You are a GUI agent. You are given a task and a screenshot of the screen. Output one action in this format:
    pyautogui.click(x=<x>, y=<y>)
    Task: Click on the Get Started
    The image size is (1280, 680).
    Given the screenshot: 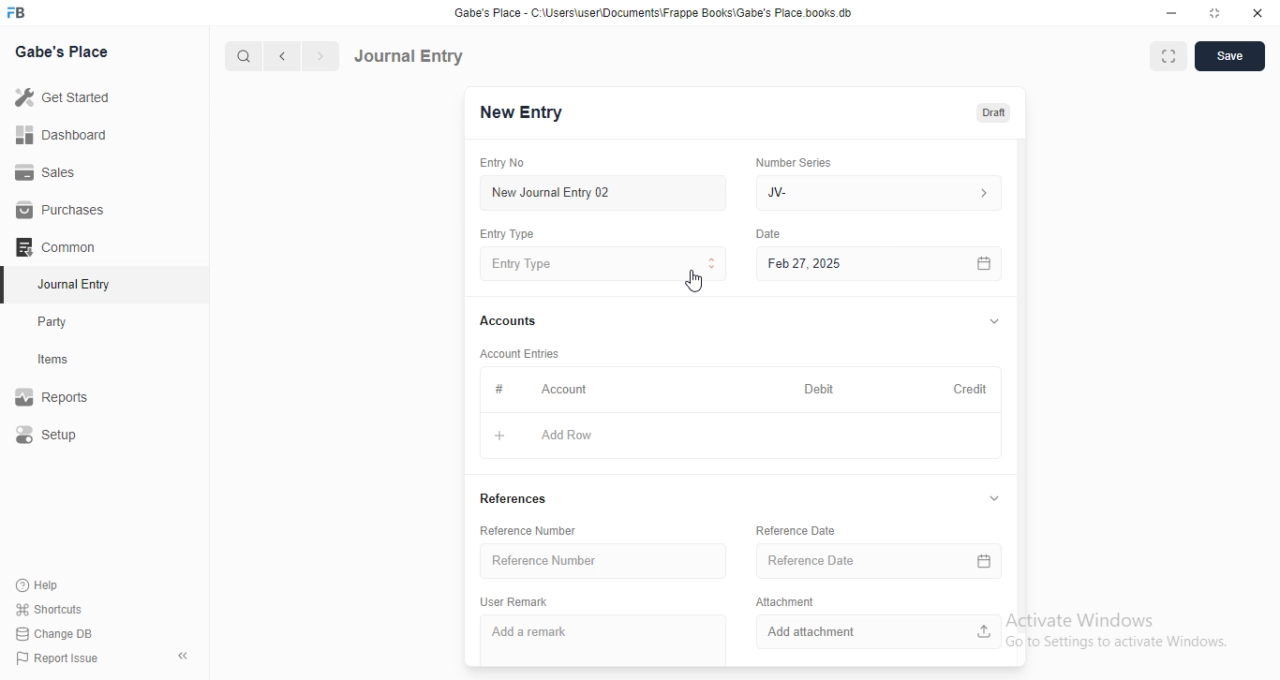 What is the action you would take?
    pyautogui.click(x=66, y=97)
    